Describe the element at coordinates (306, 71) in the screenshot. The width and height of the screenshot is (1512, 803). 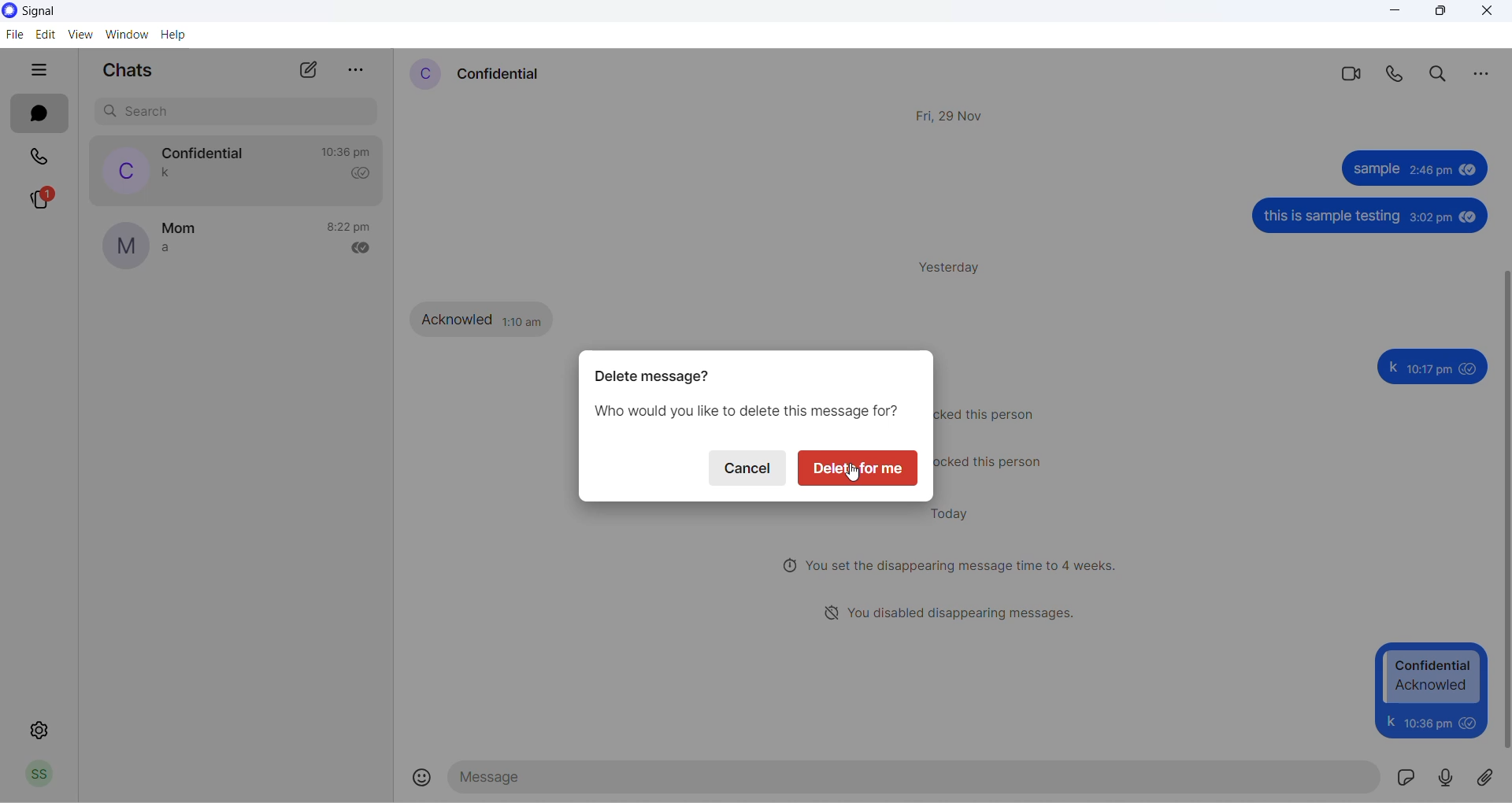
I see `new chat` at that location.